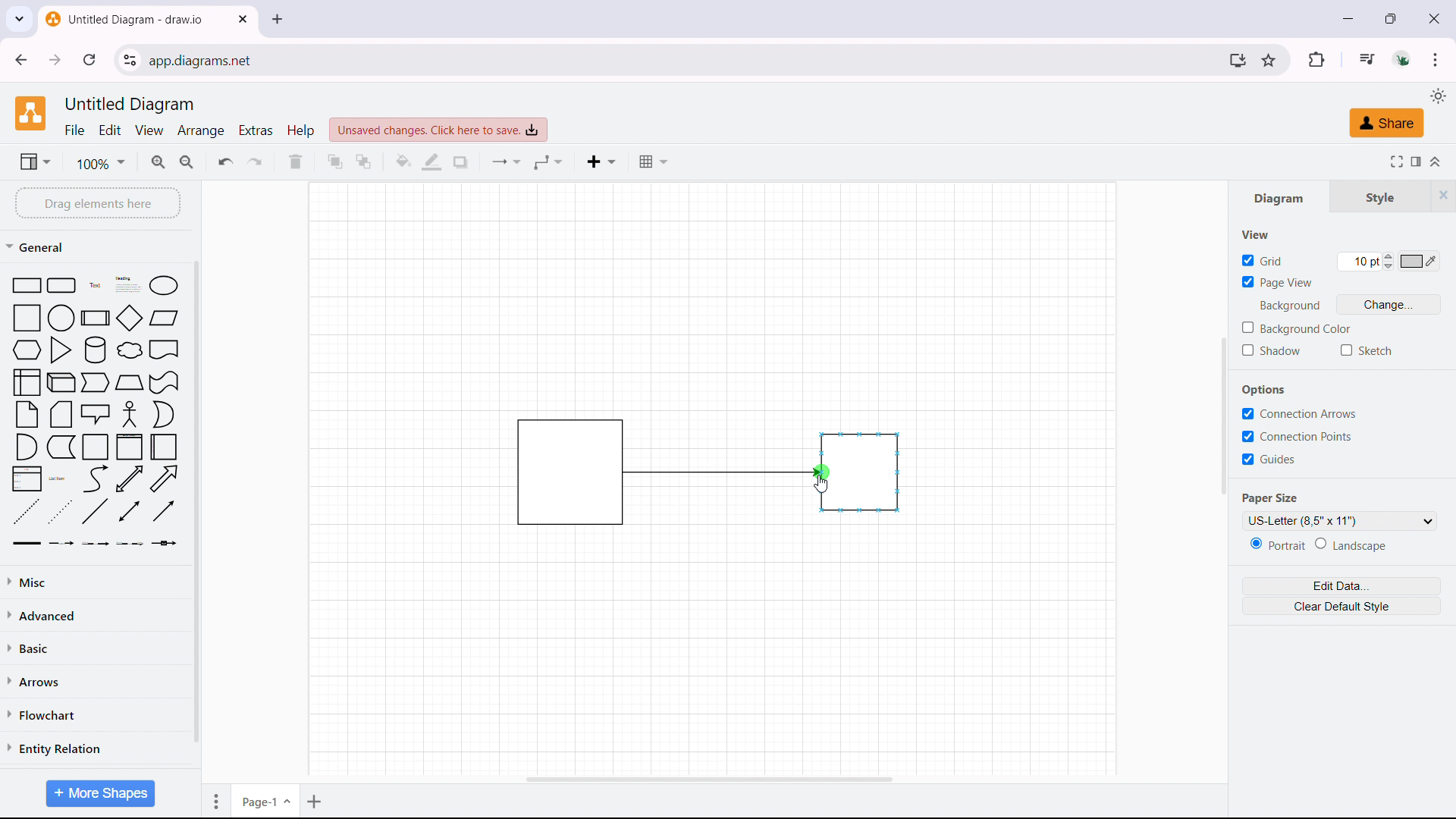  I want to click on connector drawn, so click(723, 472).